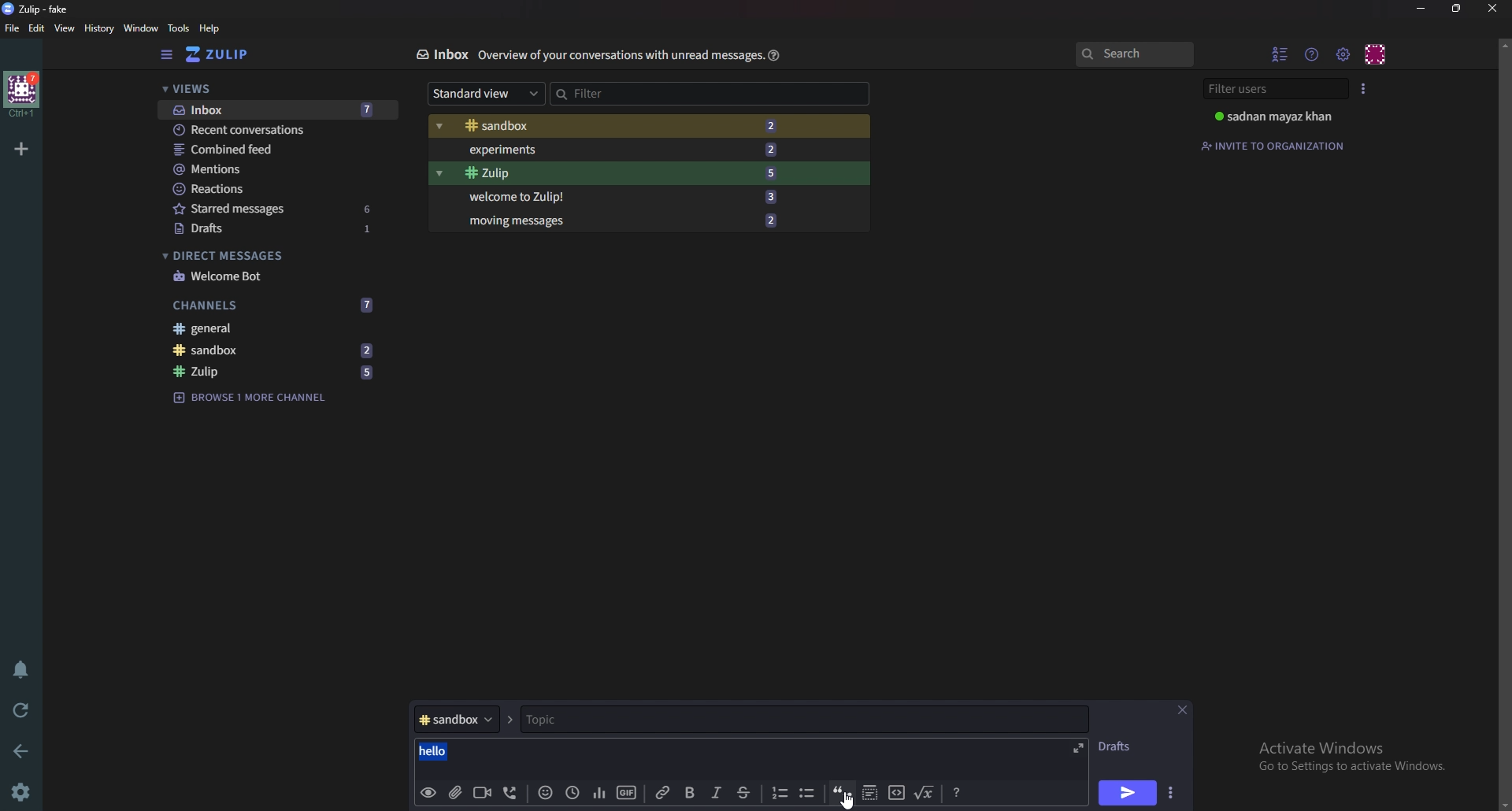  What do you see at coordinates (24, 93) in the screenshot?
I see `home` at bounding box center [24, 93].